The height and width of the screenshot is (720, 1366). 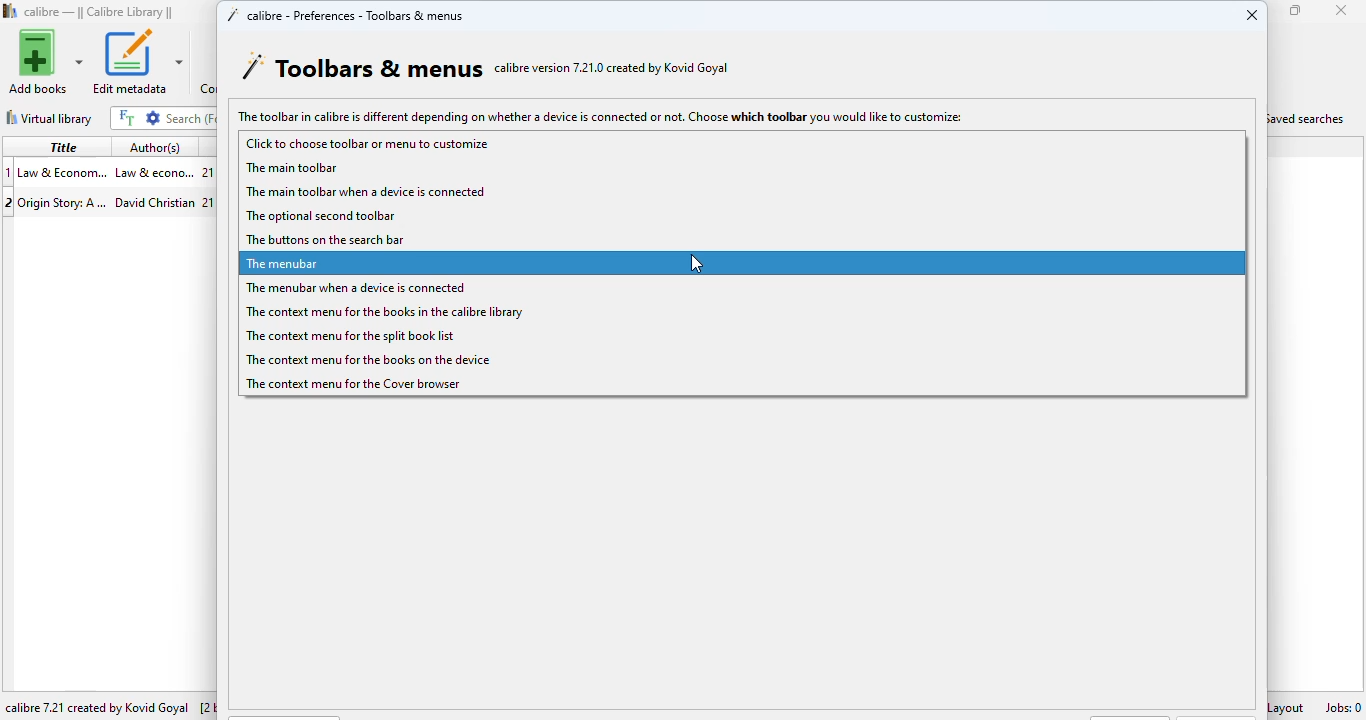 What do you see at coordinates (46, 61) in the screenshot?
I see `add books` at bounding box center [46, 61].